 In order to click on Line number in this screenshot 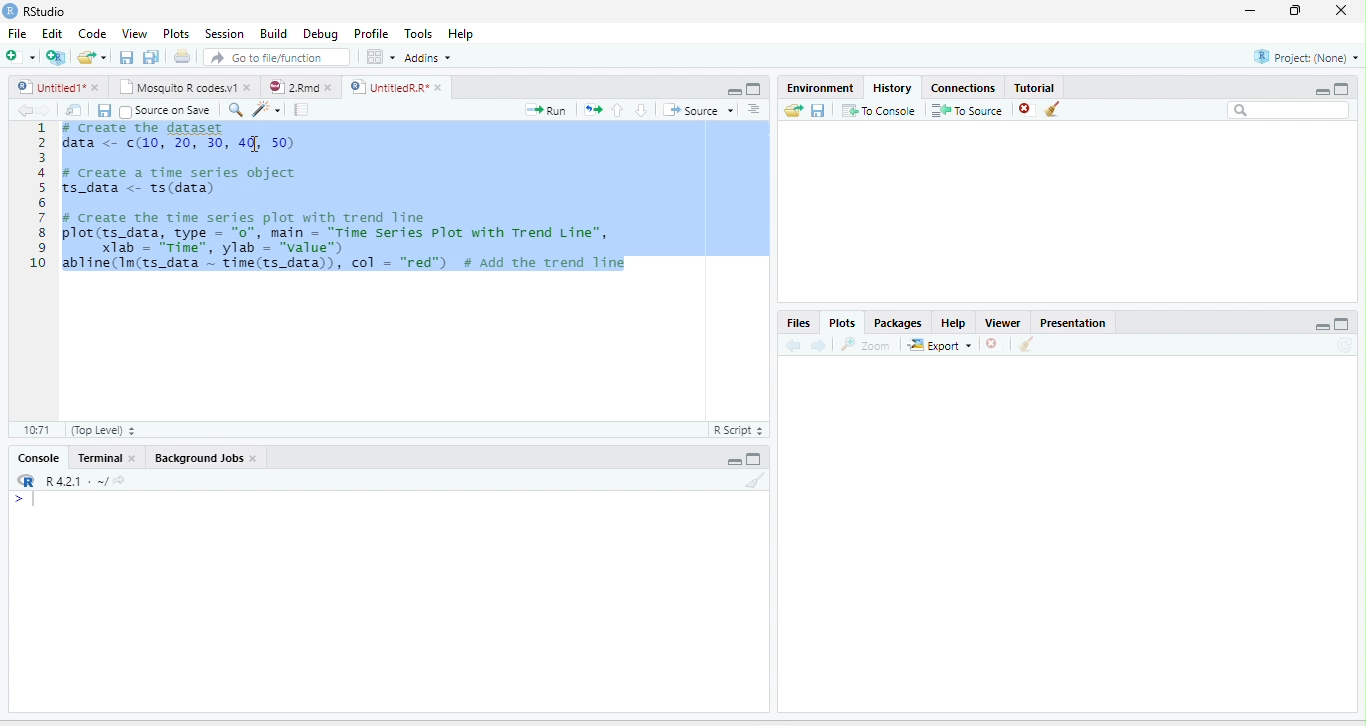, I will do `click(36, 197)`.